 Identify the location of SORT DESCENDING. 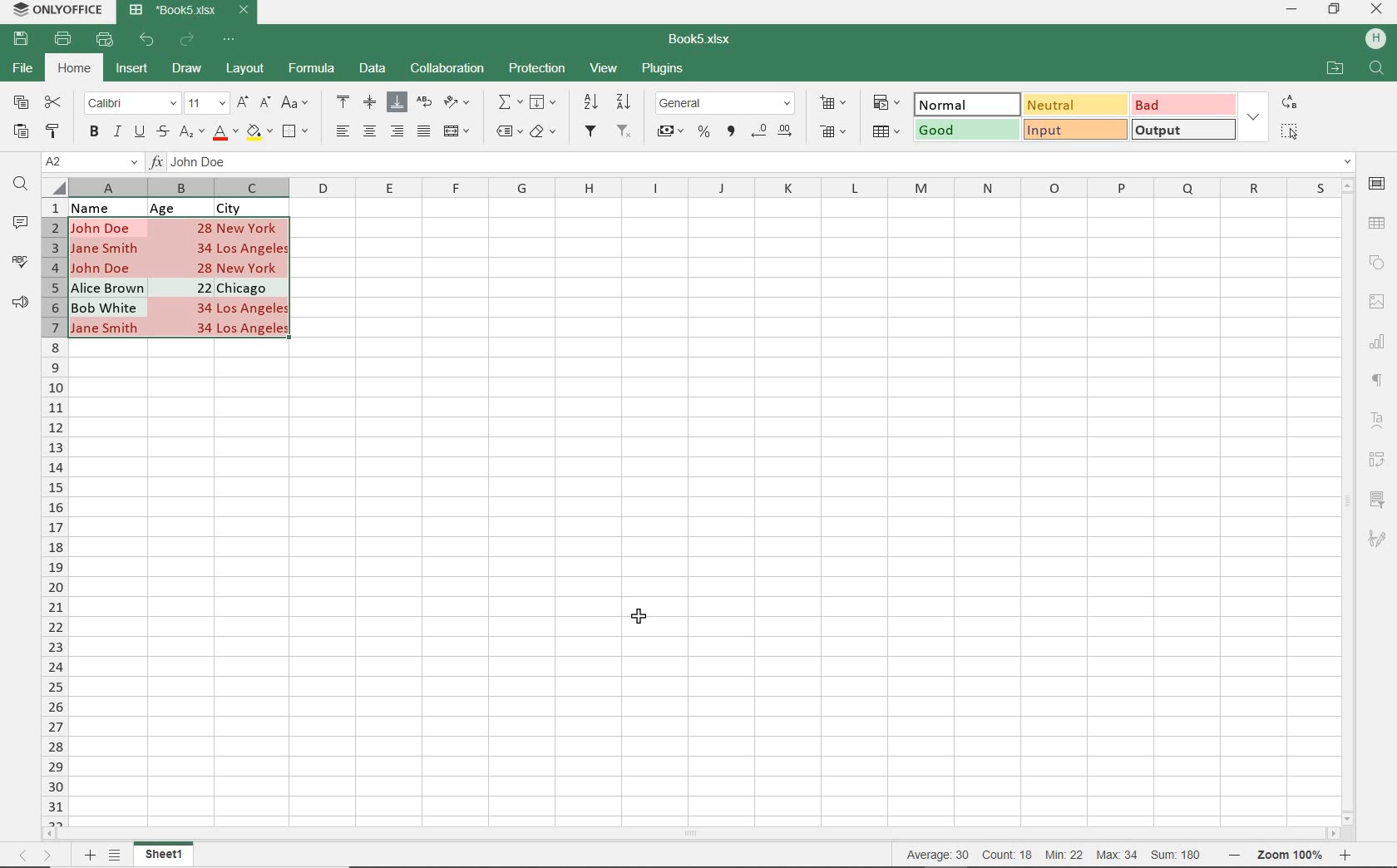
(625, 101).